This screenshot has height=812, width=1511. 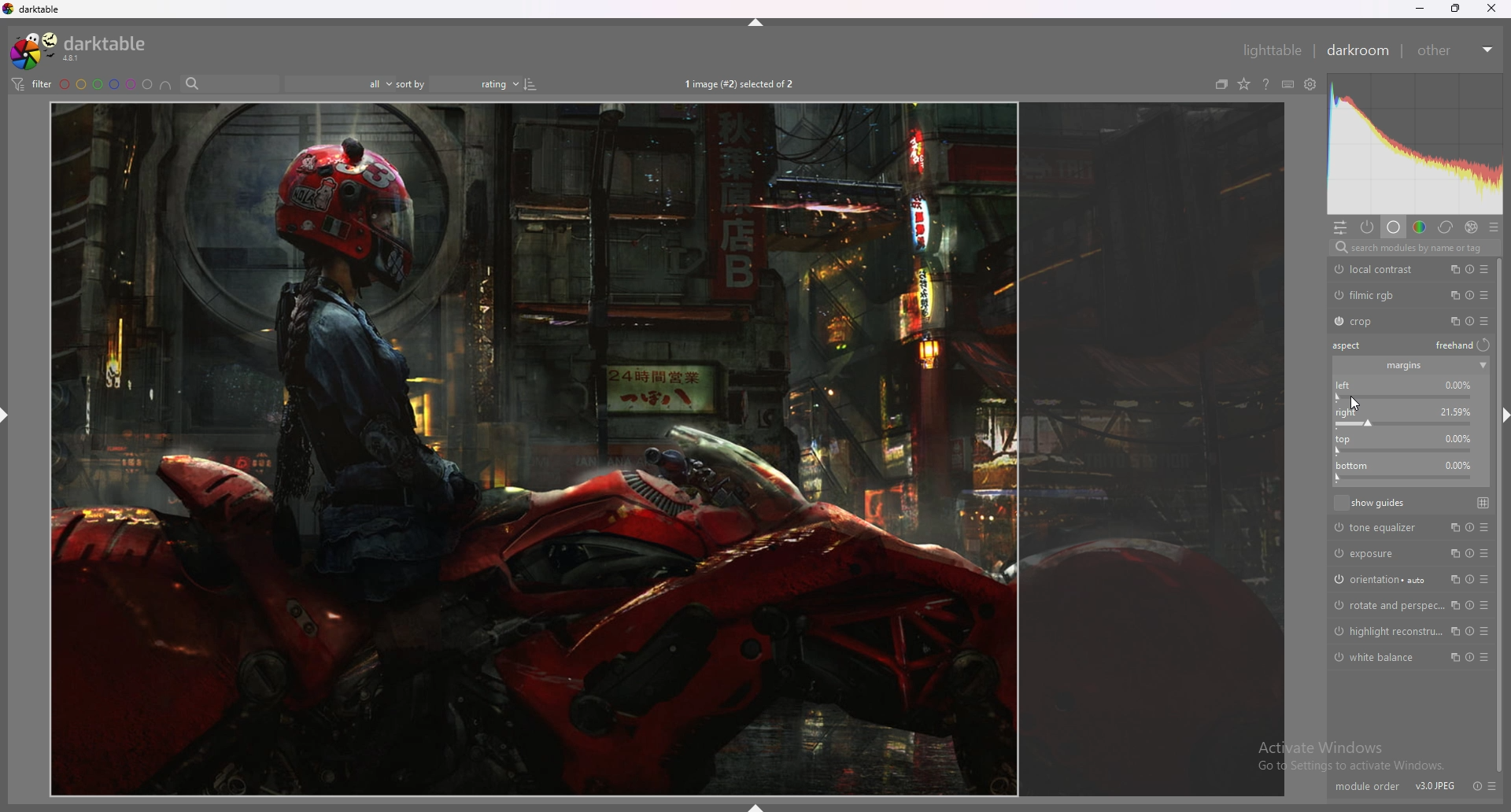 I want to click on active modules, so click(x=1368, y=227).